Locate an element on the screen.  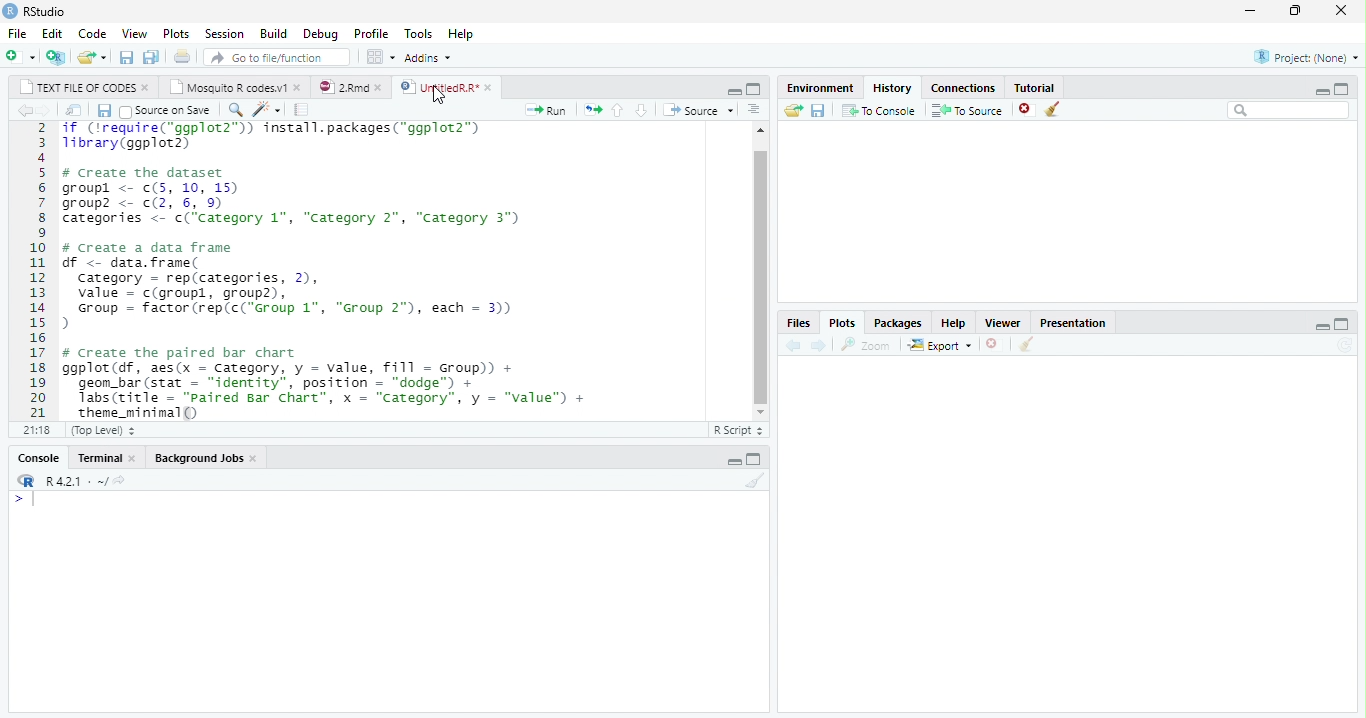
cursor is located at coordinates (437, 98).